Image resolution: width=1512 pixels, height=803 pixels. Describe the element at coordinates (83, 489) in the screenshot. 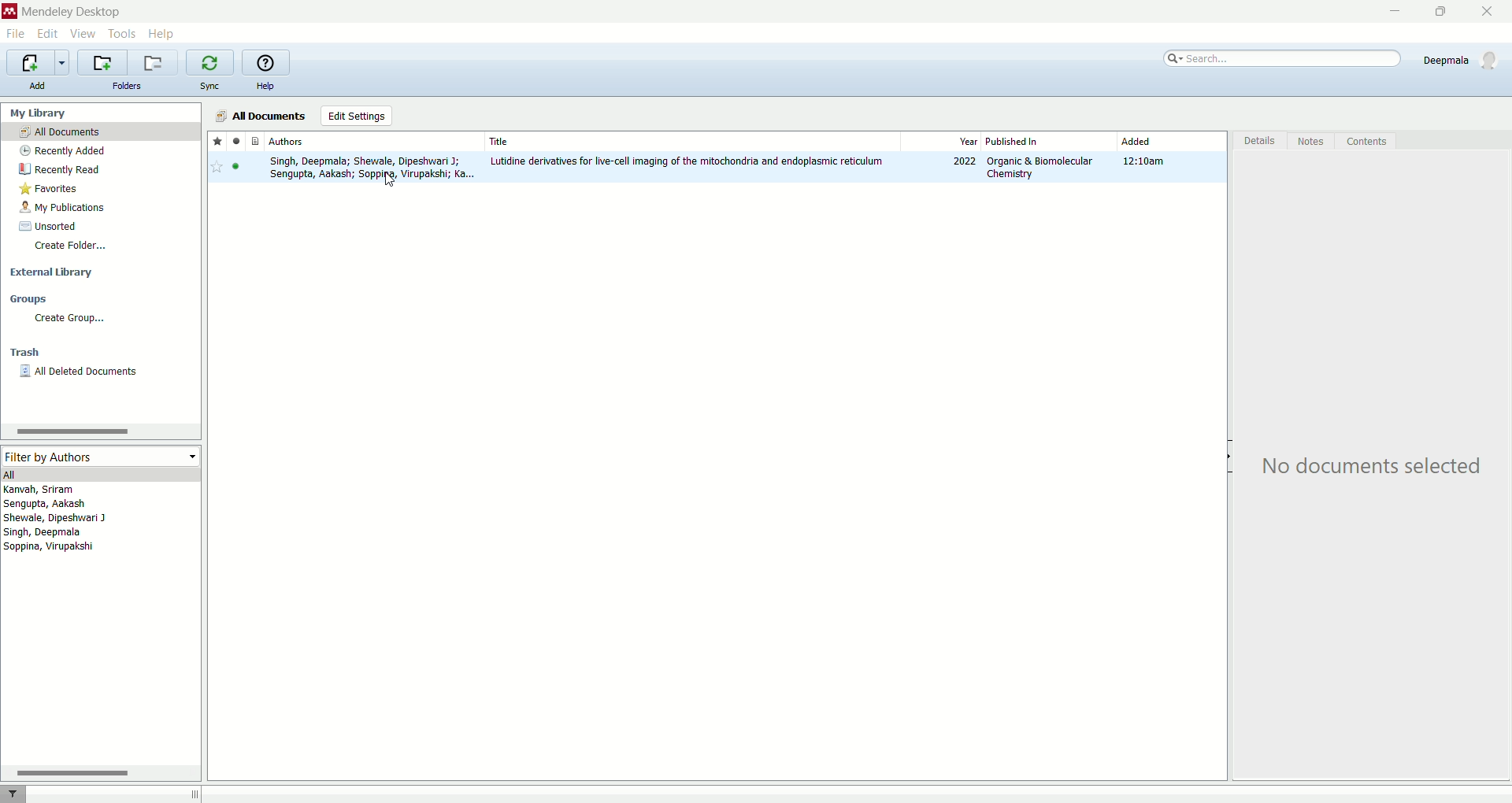

I see `Kanvah, Sriram` at that location.